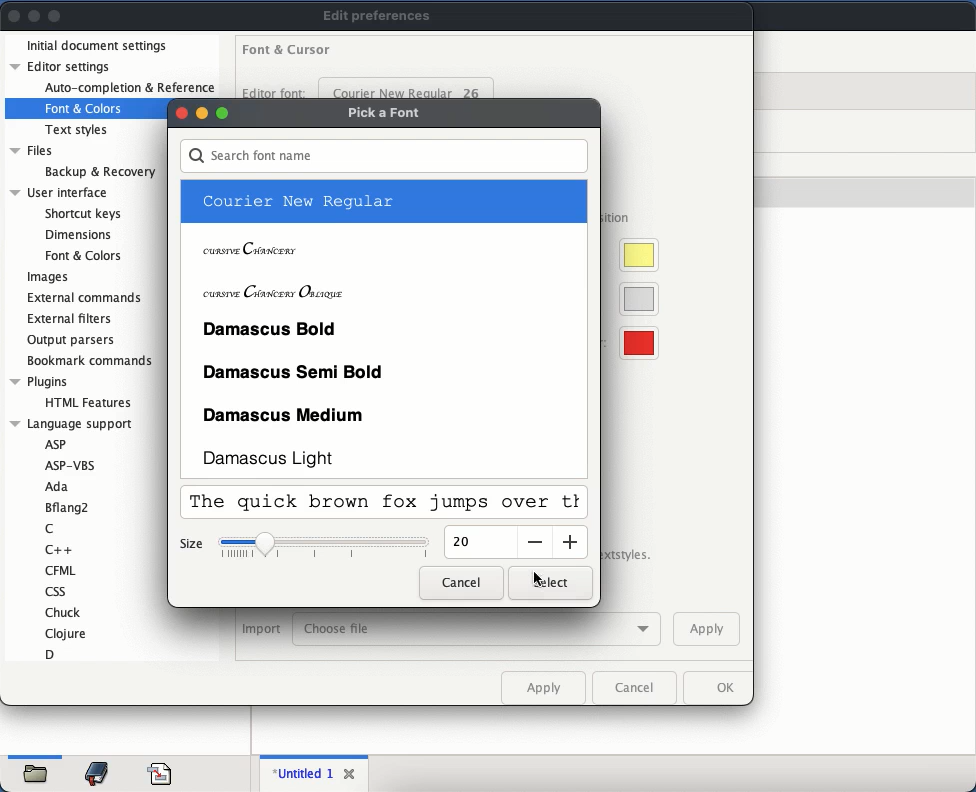  I want to click on Damascus Medium, so click(285, 417).